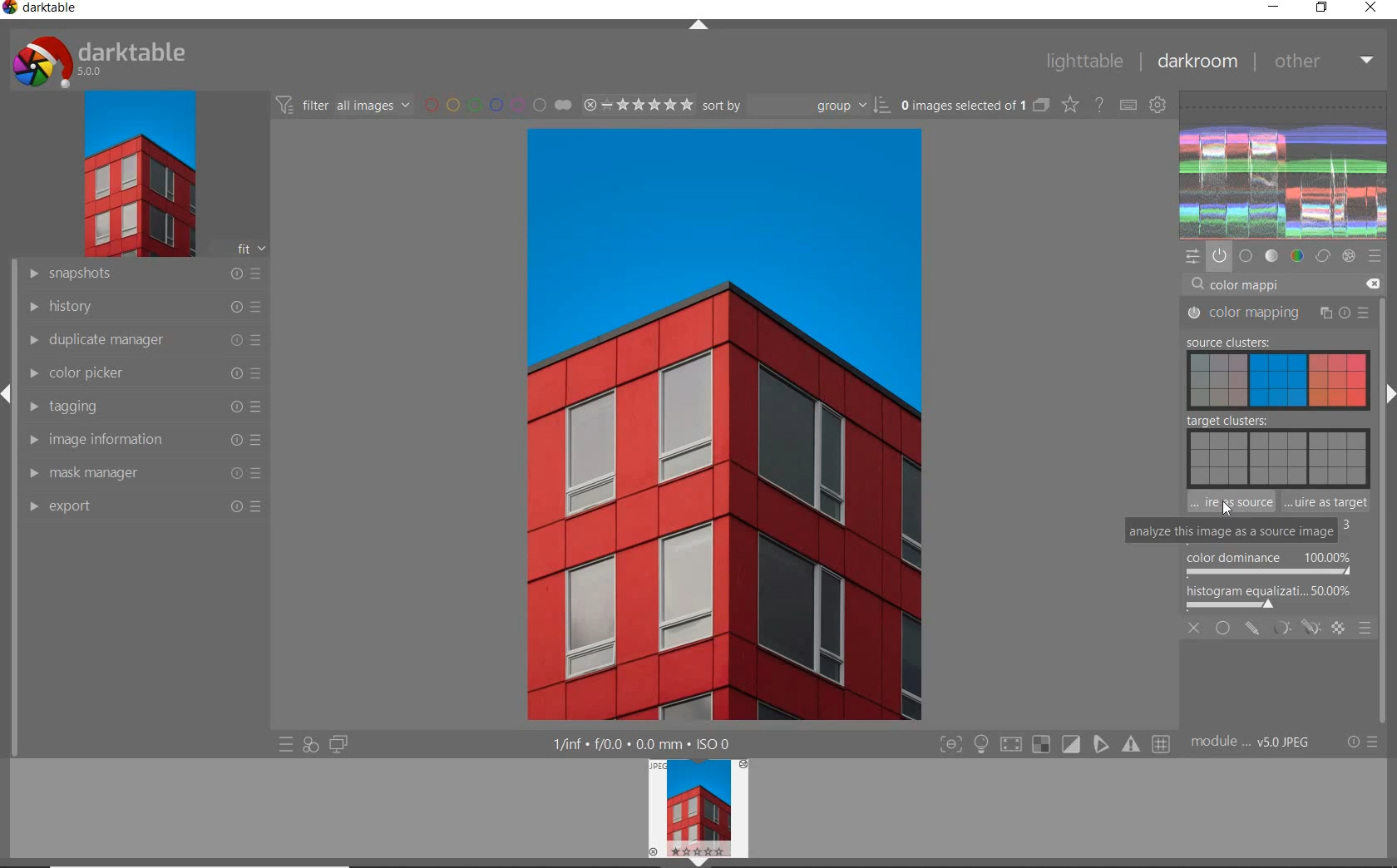  Describe the element at coordinates (1365, 629) in the screenshot. I see `BLENDING OPTIONS` at that location.